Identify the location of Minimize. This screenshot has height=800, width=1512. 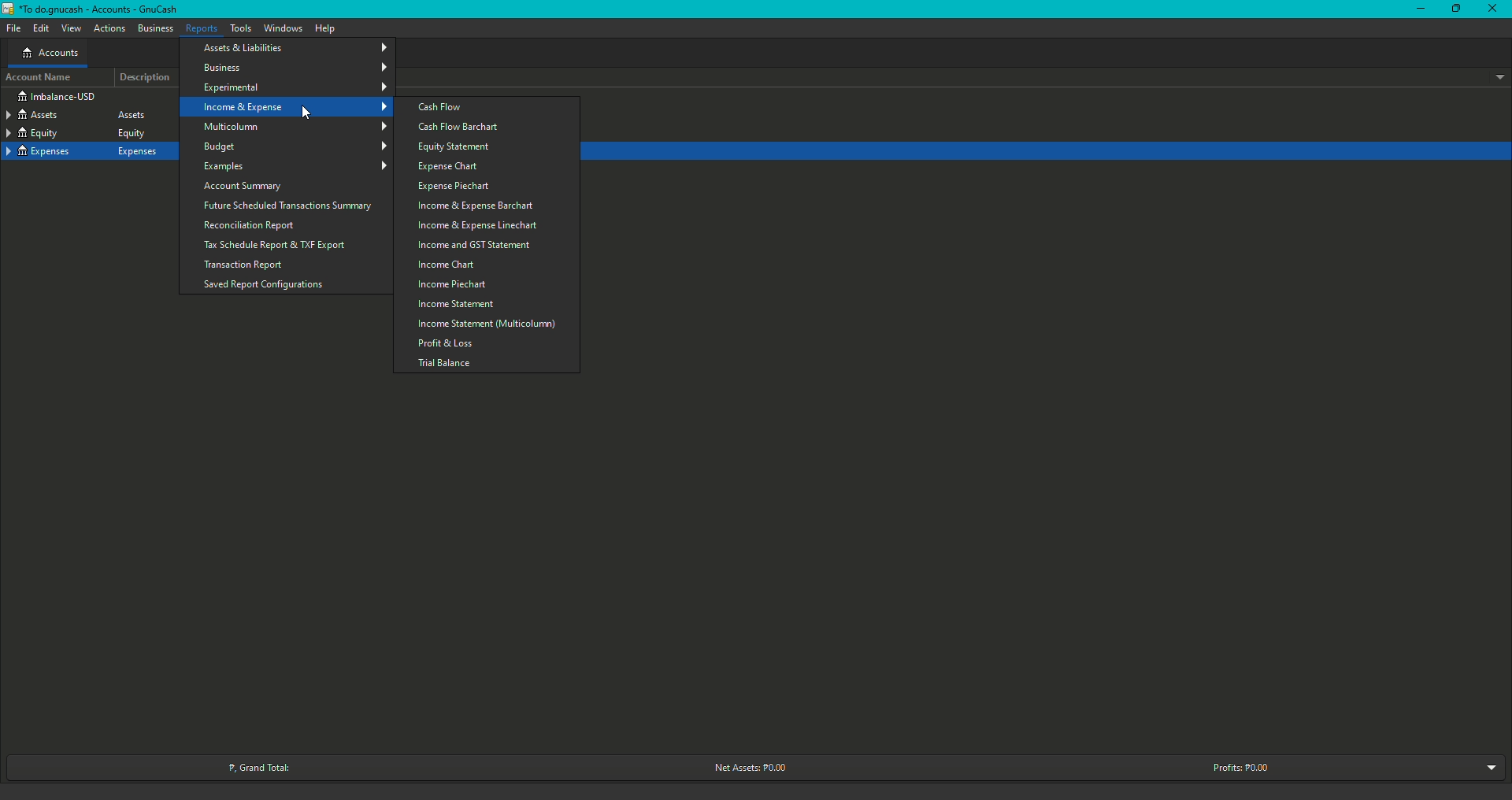
(1417, 10).